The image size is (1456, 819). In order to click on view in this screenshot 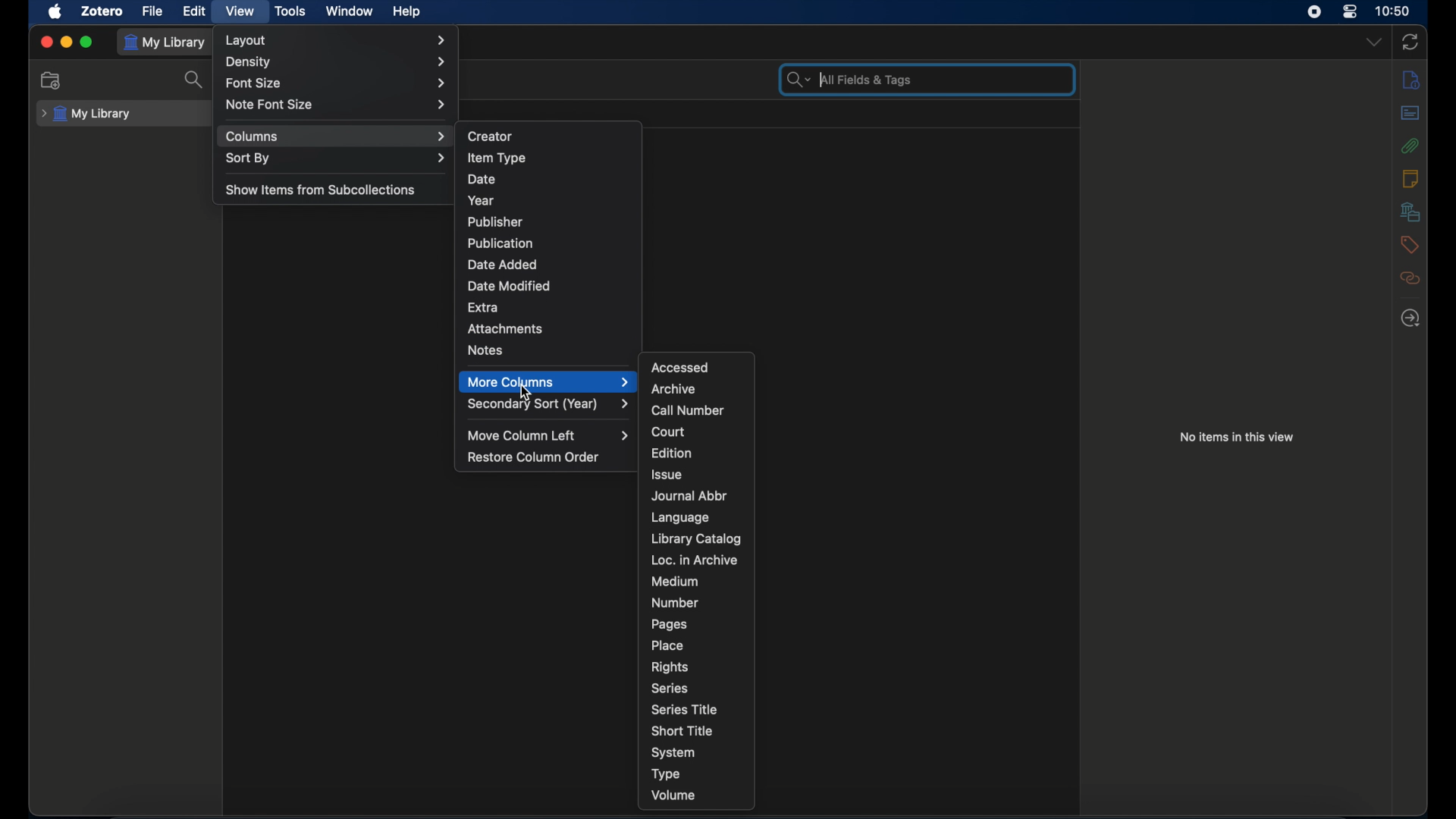, I will do `click(241, 12)`.